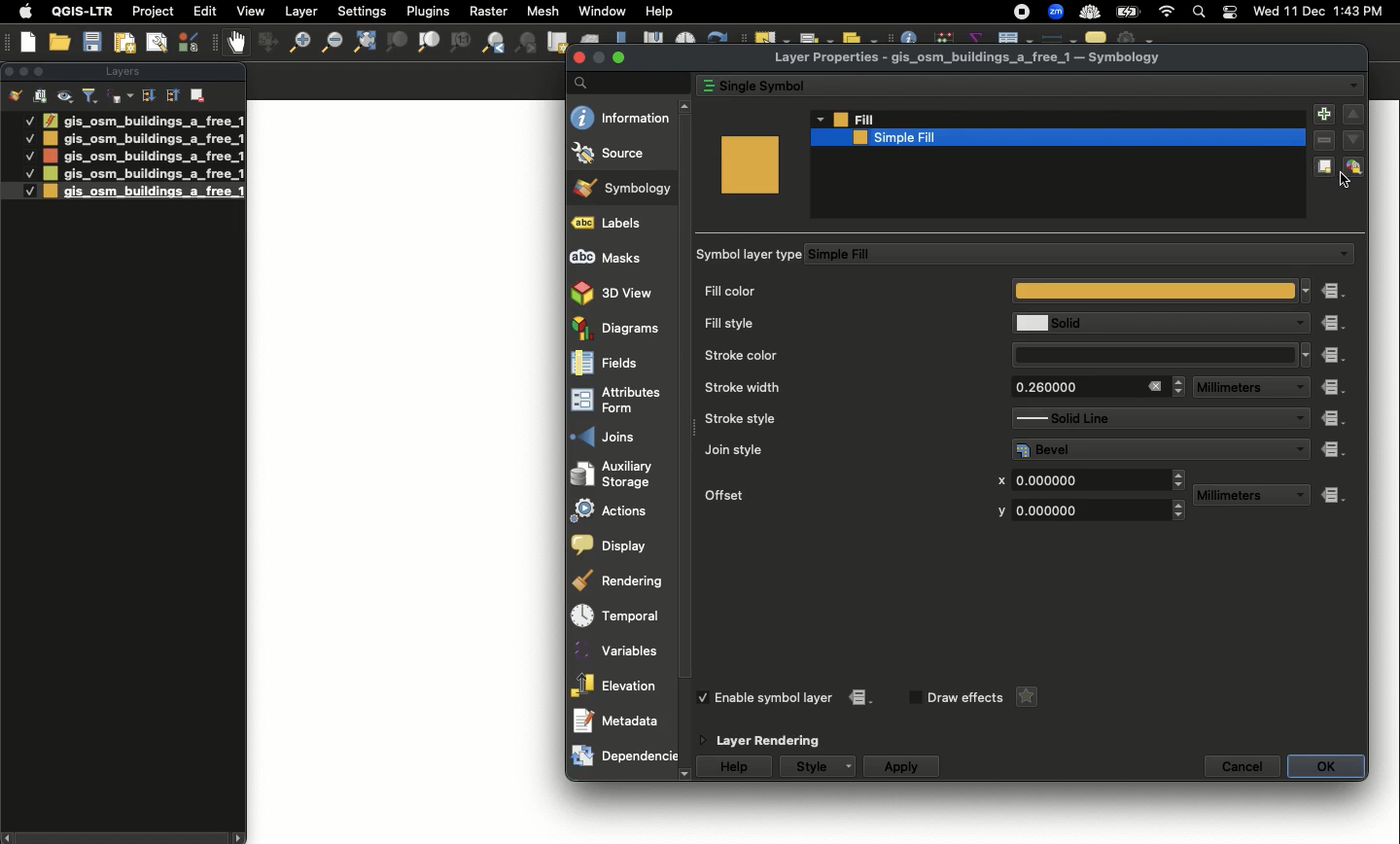  Describe the element at coordinates (148, 96) in the screenshot. I see `Sort descending` at that location.